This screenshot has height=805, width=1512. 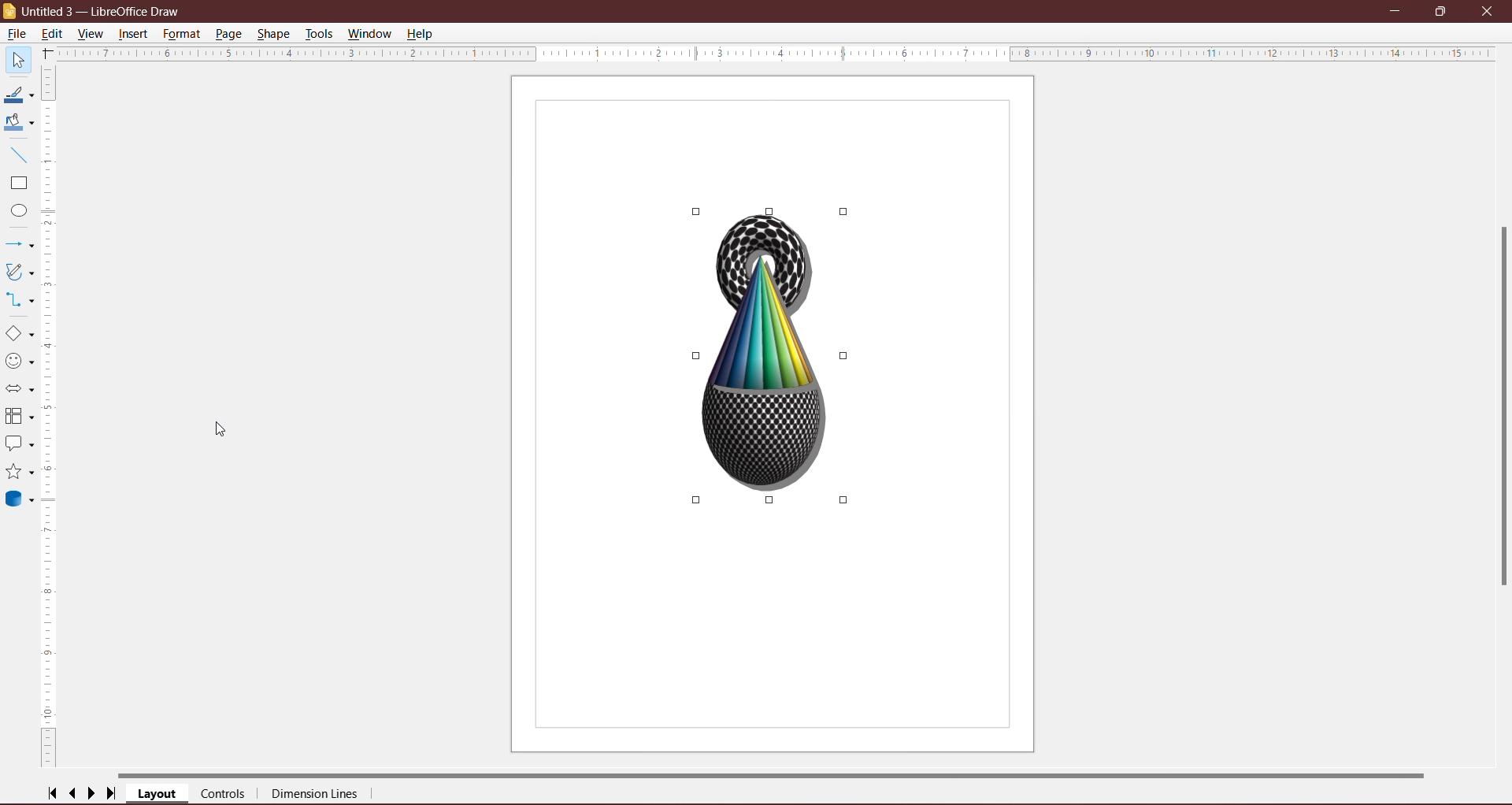 What do you see at coordinates (50, 418) in the screenshot?
I see `Vertical Ruler` at bounding box center [50, 418].